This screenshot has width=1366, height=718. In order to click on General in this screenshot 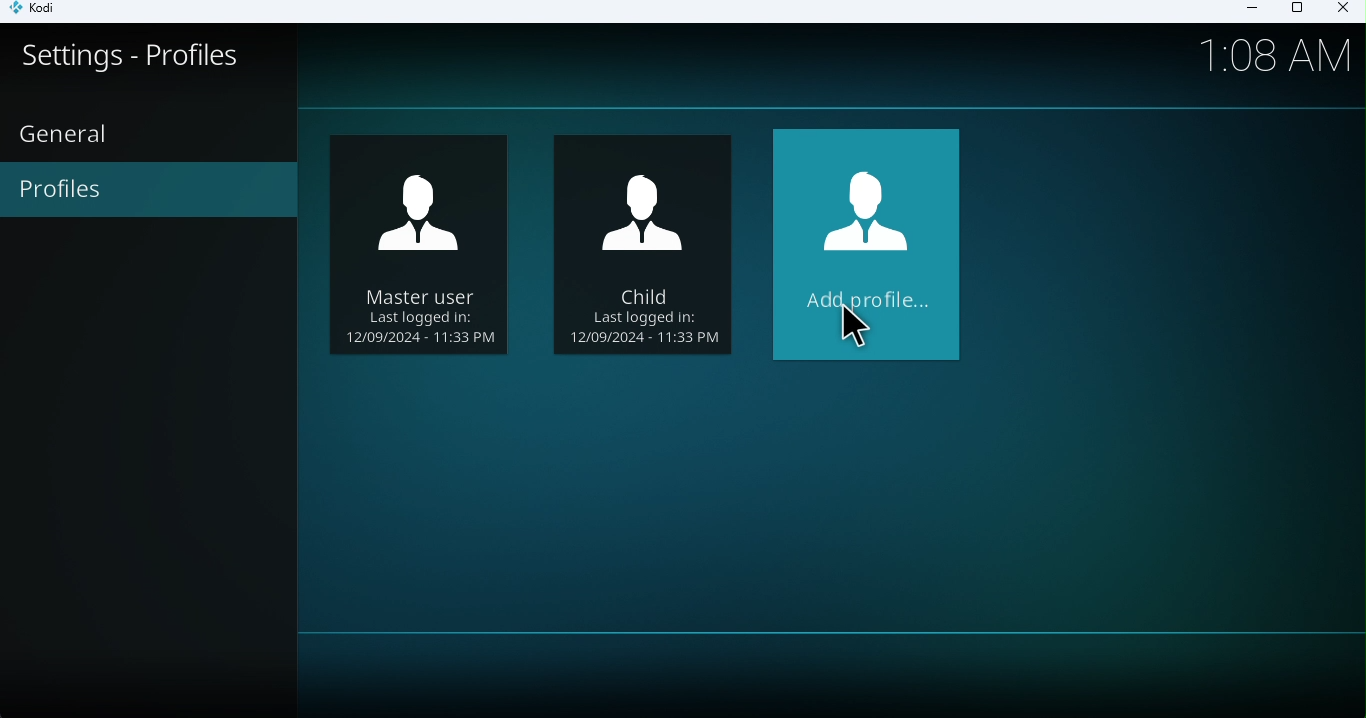, I will do `click(68, 133)`.